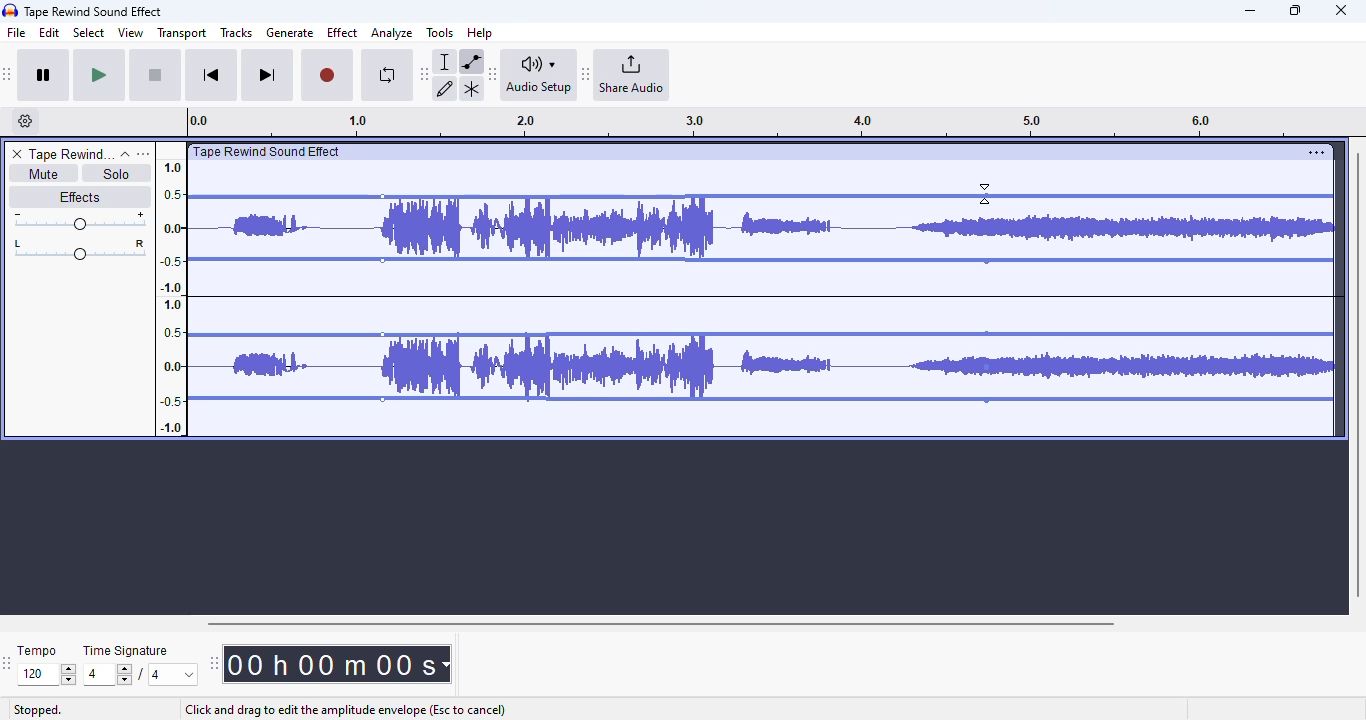 This screenshot has height=720, width=1366. I want to click on Current track time, so click(329, 664).